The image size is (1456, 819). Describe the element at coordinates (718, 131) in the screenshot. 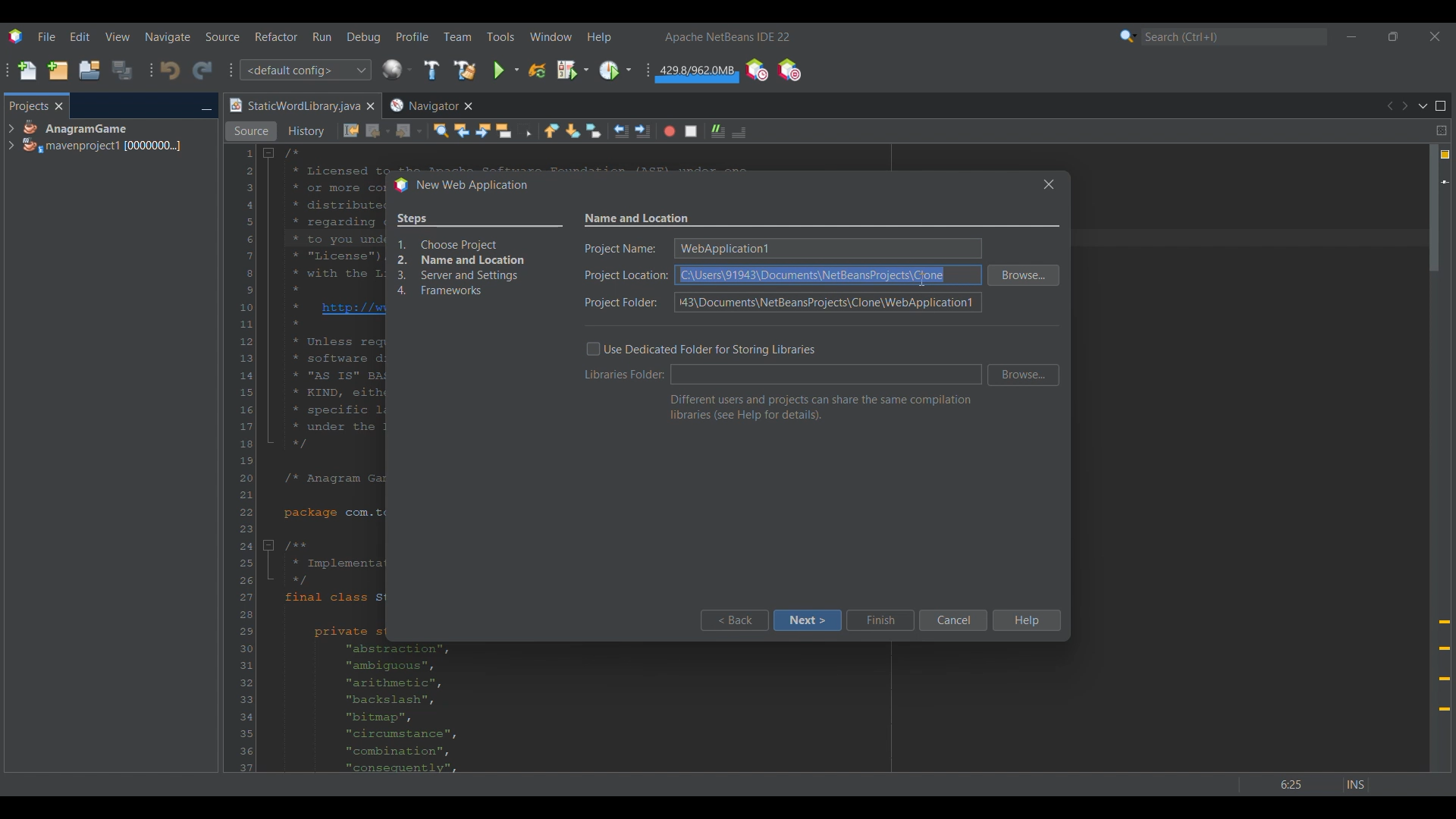

I see `Uncomment` at that location.